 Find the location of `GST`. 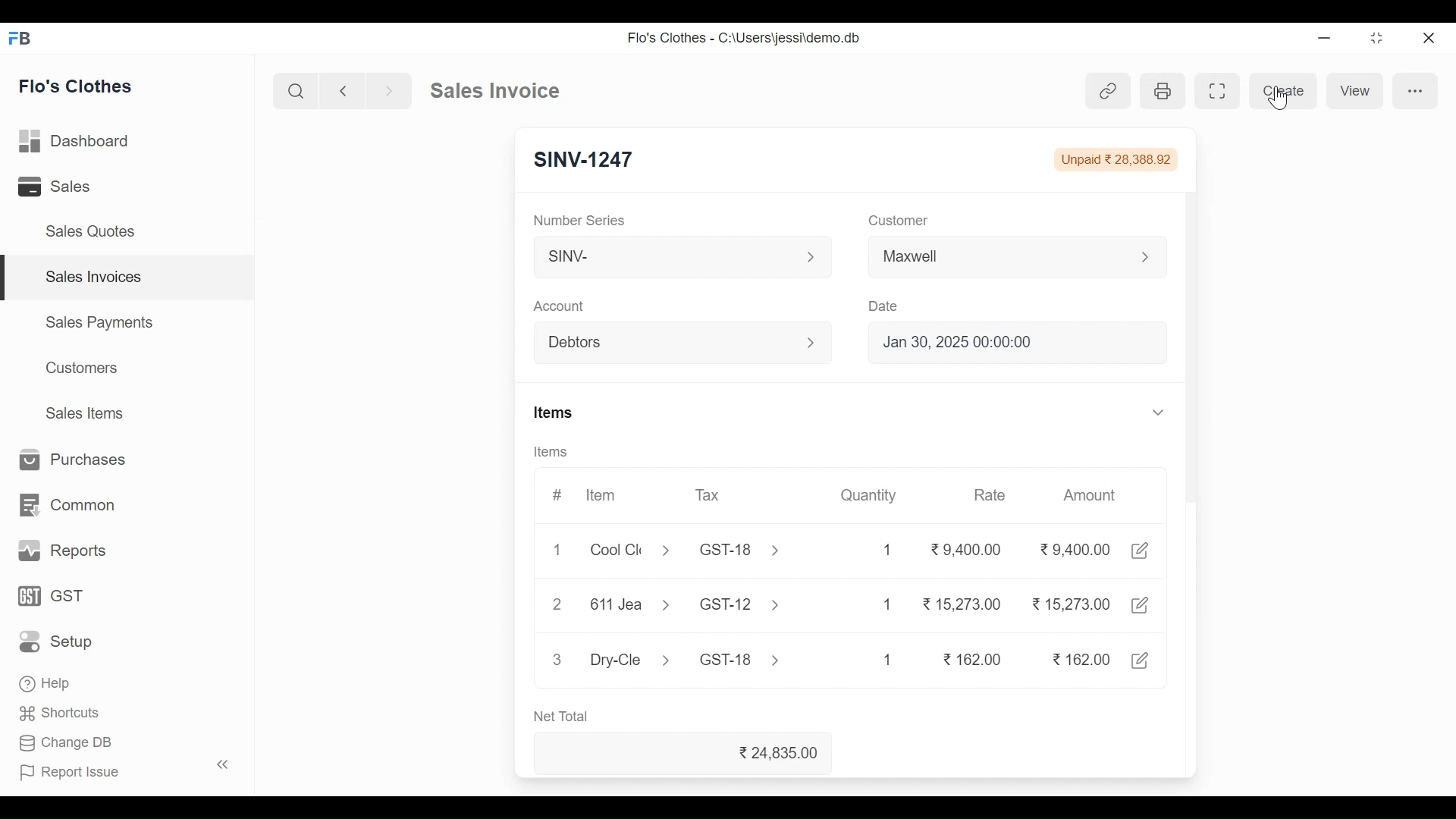

GST is located at coordinates (51, 597).